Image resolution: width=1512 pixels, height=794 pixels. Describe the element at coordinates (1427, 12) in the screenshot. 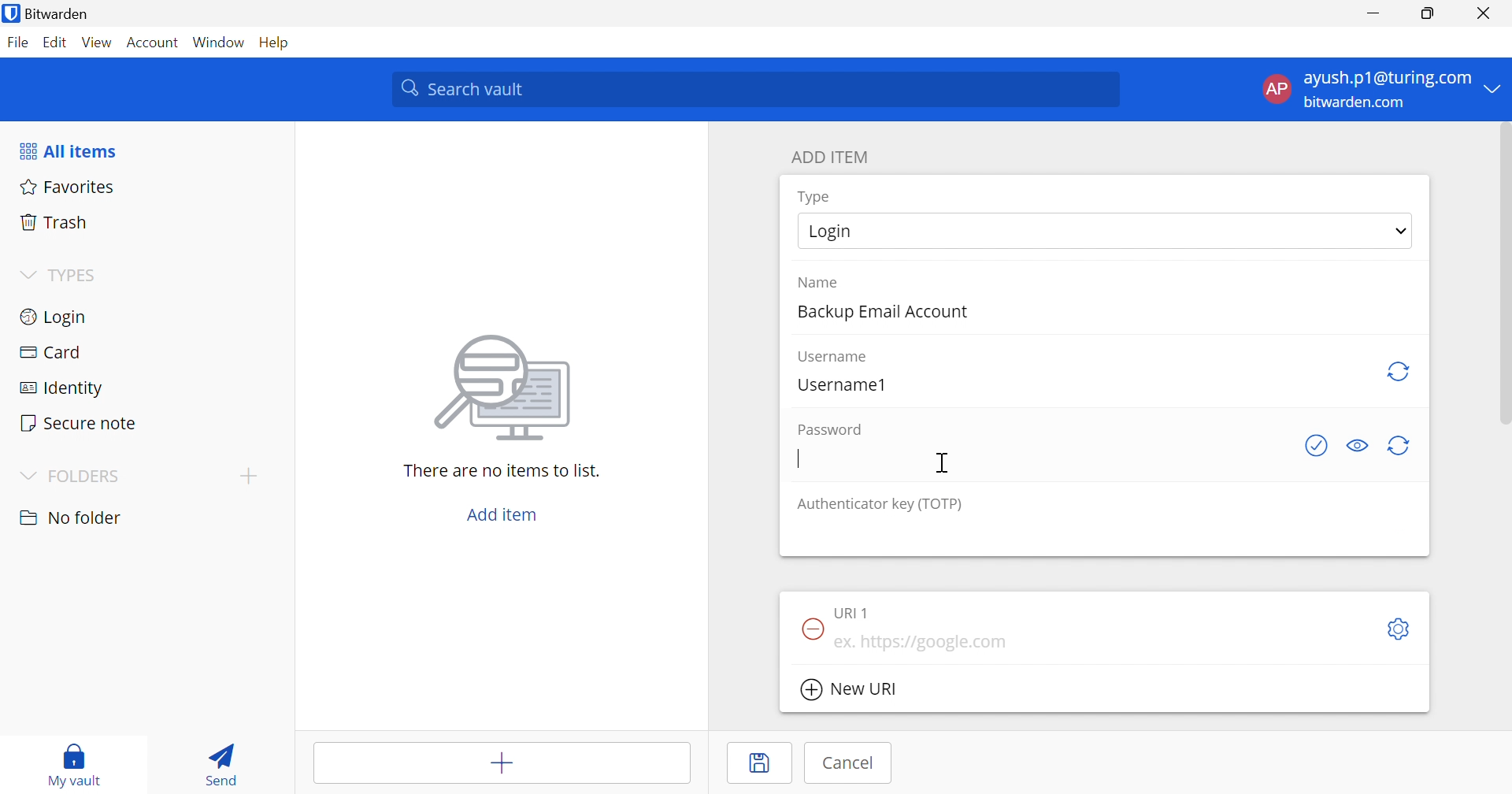

I see `Restore Down` at that location.